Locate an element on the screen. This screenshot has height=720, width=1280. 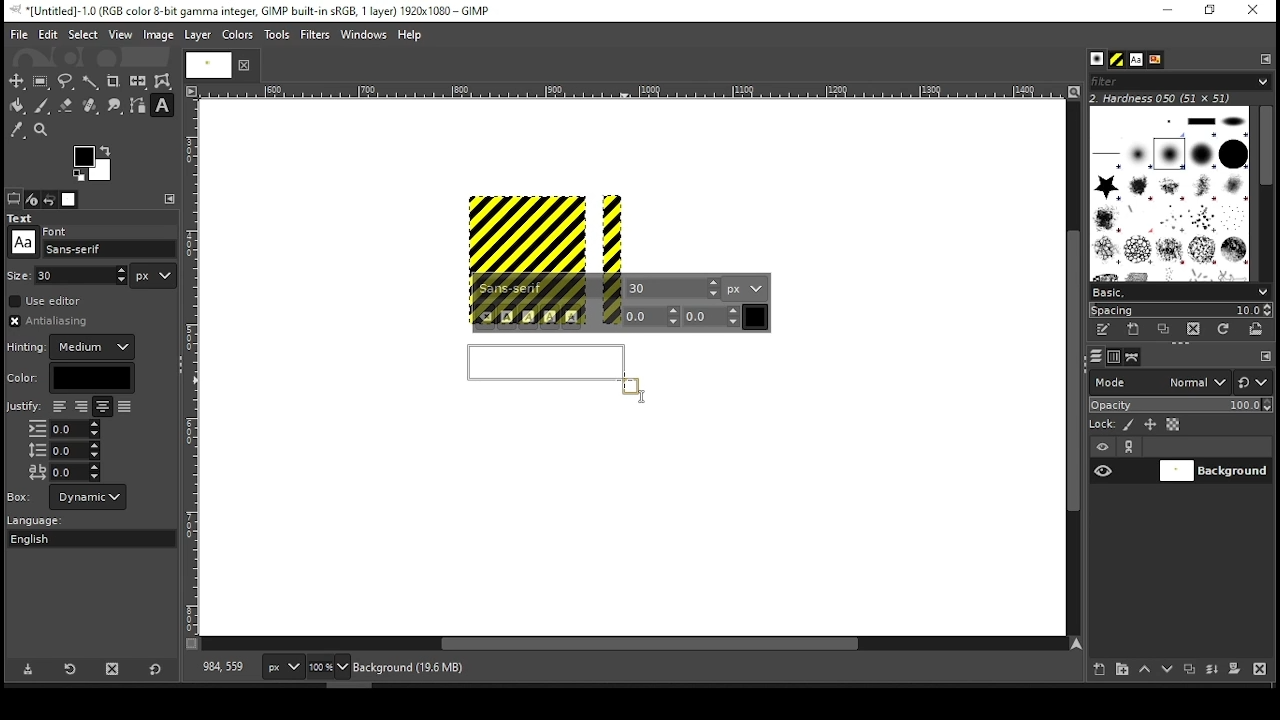
adjust character spacing is located at coordinates (63, 472).